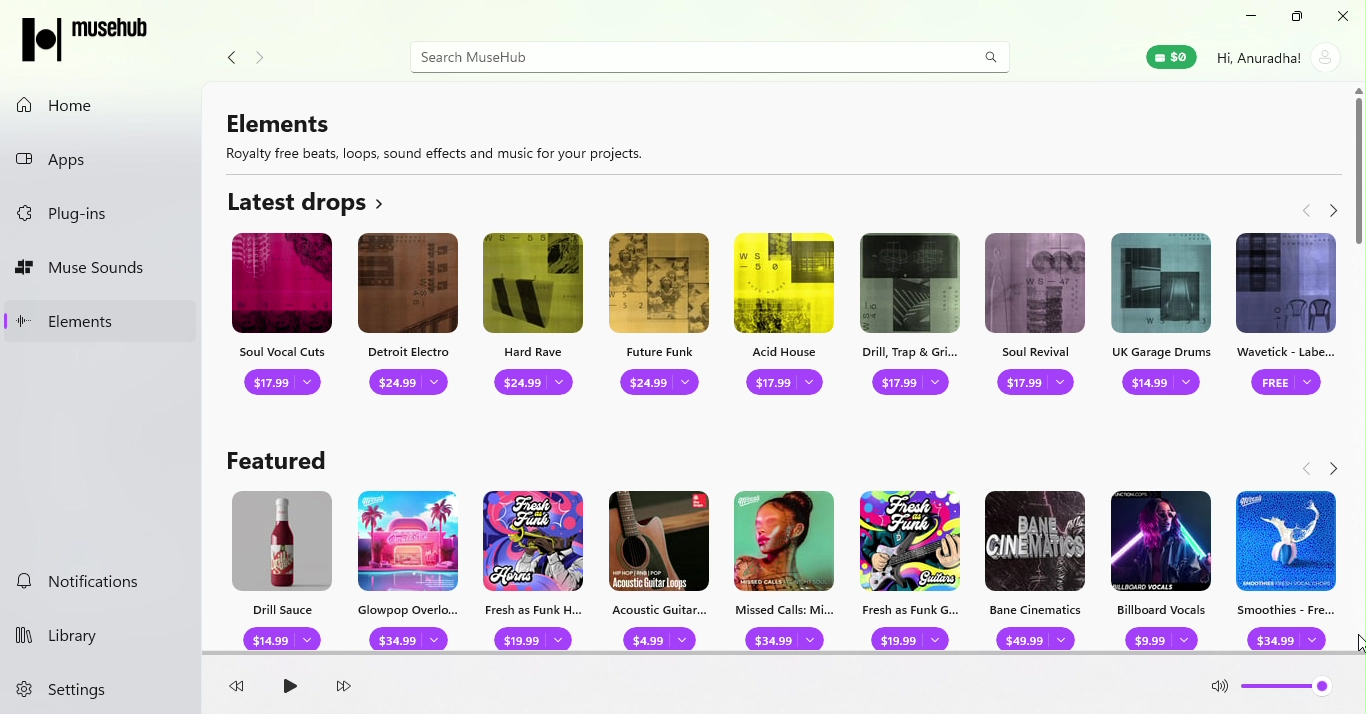 This screenshot has height=714, width=1366. What do you see at coordinates (1293, 17) in the screenshot?
I see `Maximize` at bounding box center [1293, 17].